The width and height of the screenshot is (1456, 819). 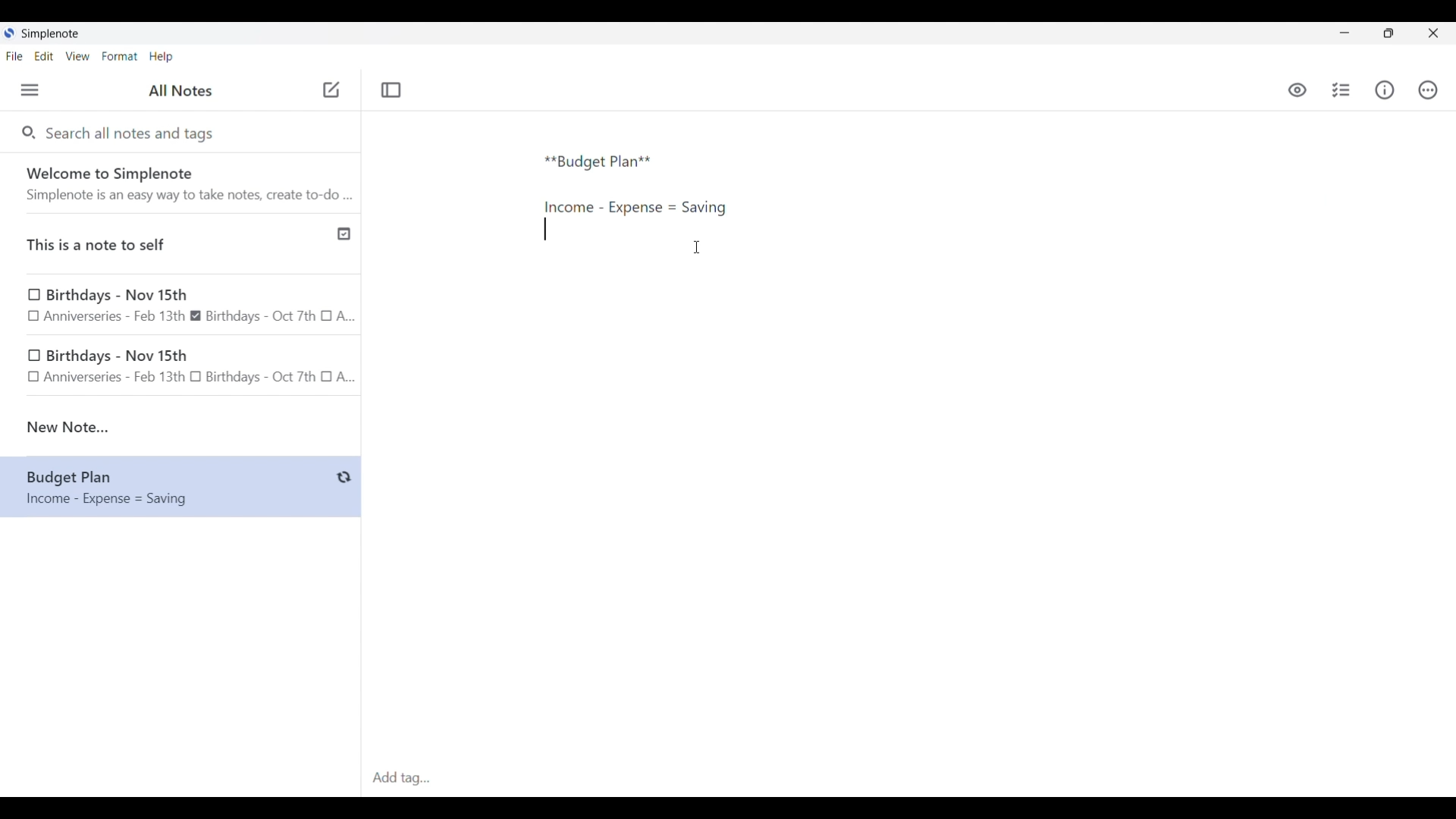 What do you see at coordinates (1385, 89) in the screenshot?
I see `Info` at bounding box center [1385, 89].